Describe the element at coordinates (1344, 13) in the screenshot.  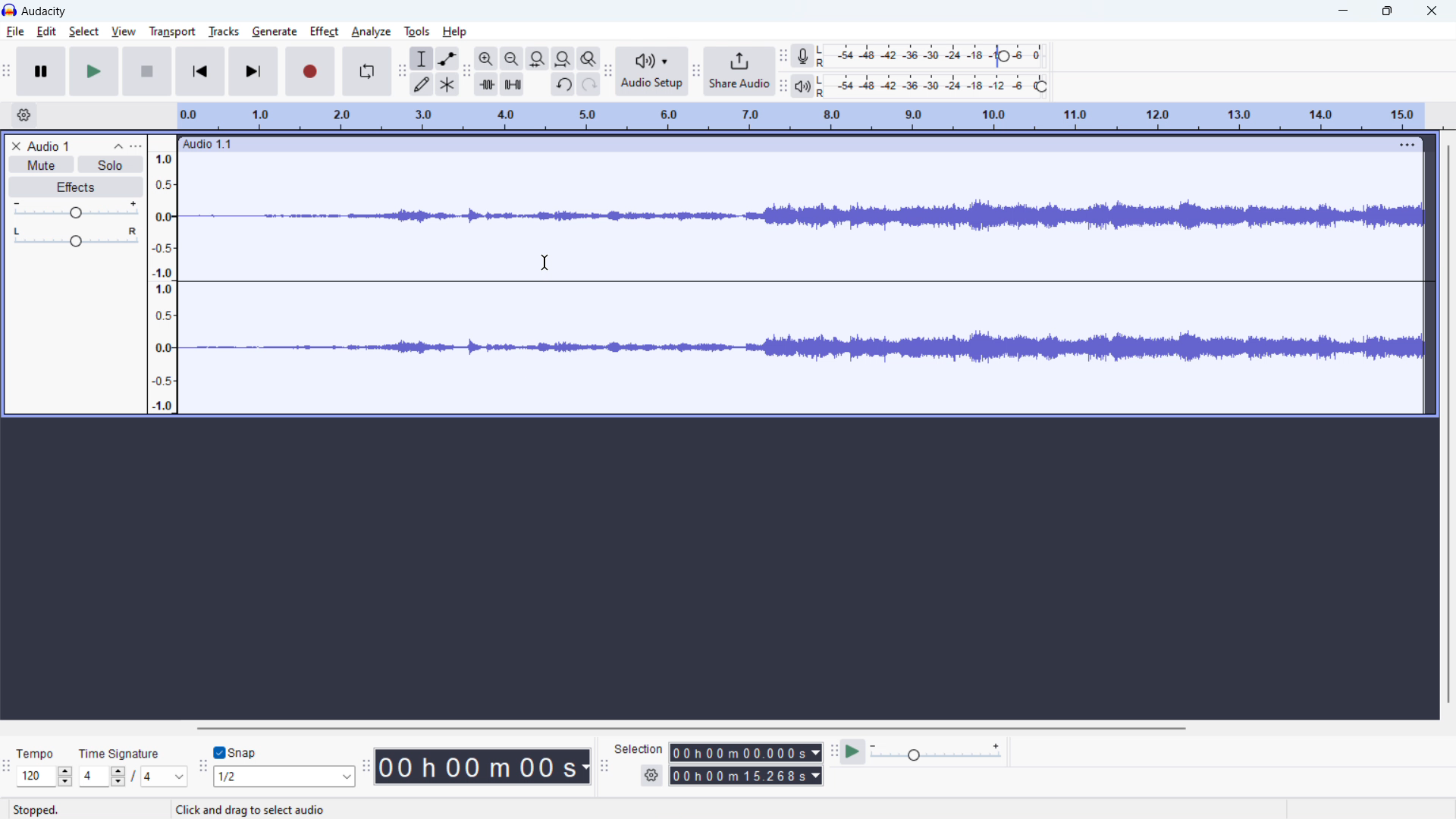
I see `minimize` at that location.